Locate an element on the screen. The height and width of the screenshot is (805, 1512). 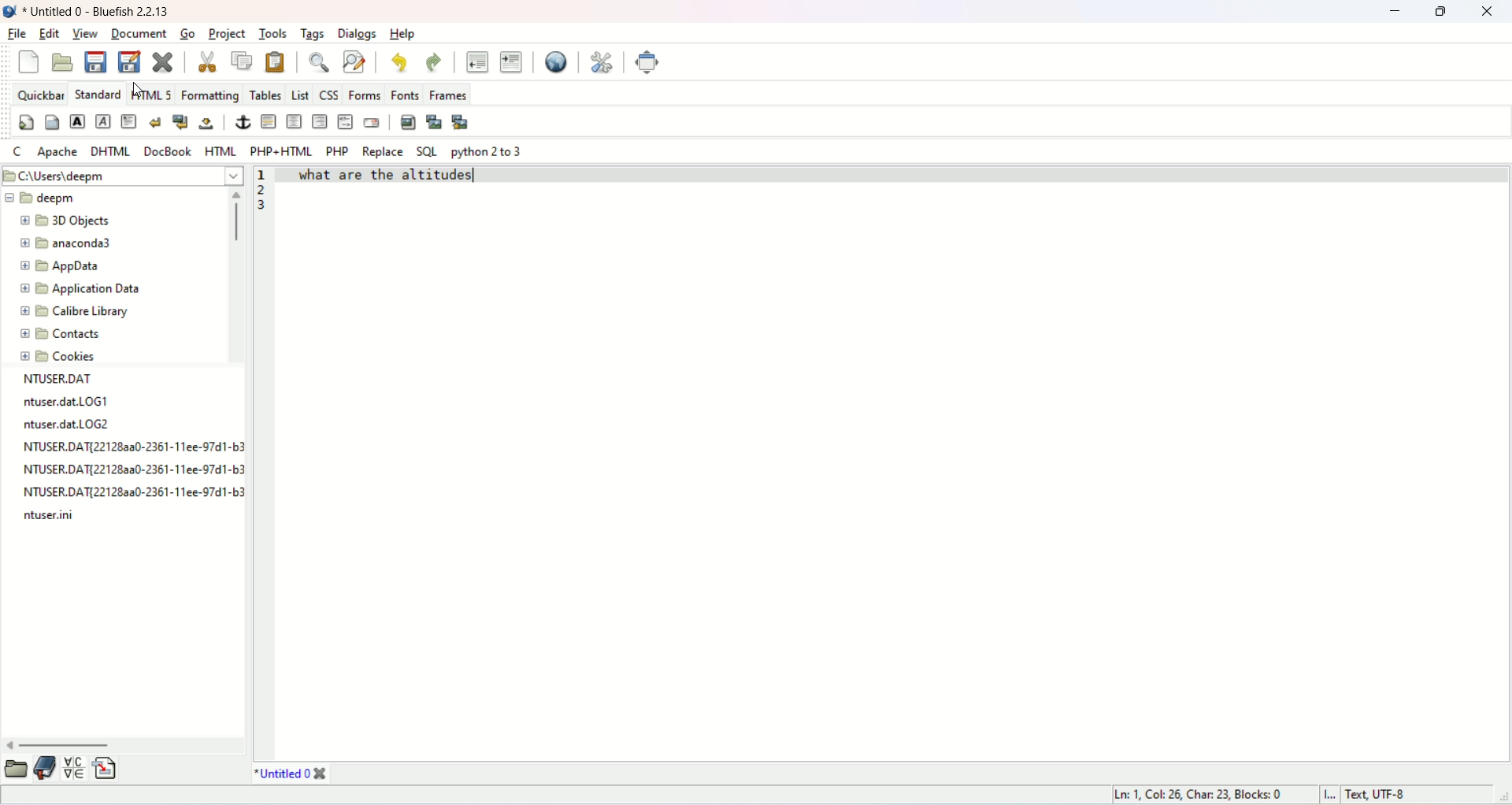
multi thumbnail is located at coordinates (463, 121).